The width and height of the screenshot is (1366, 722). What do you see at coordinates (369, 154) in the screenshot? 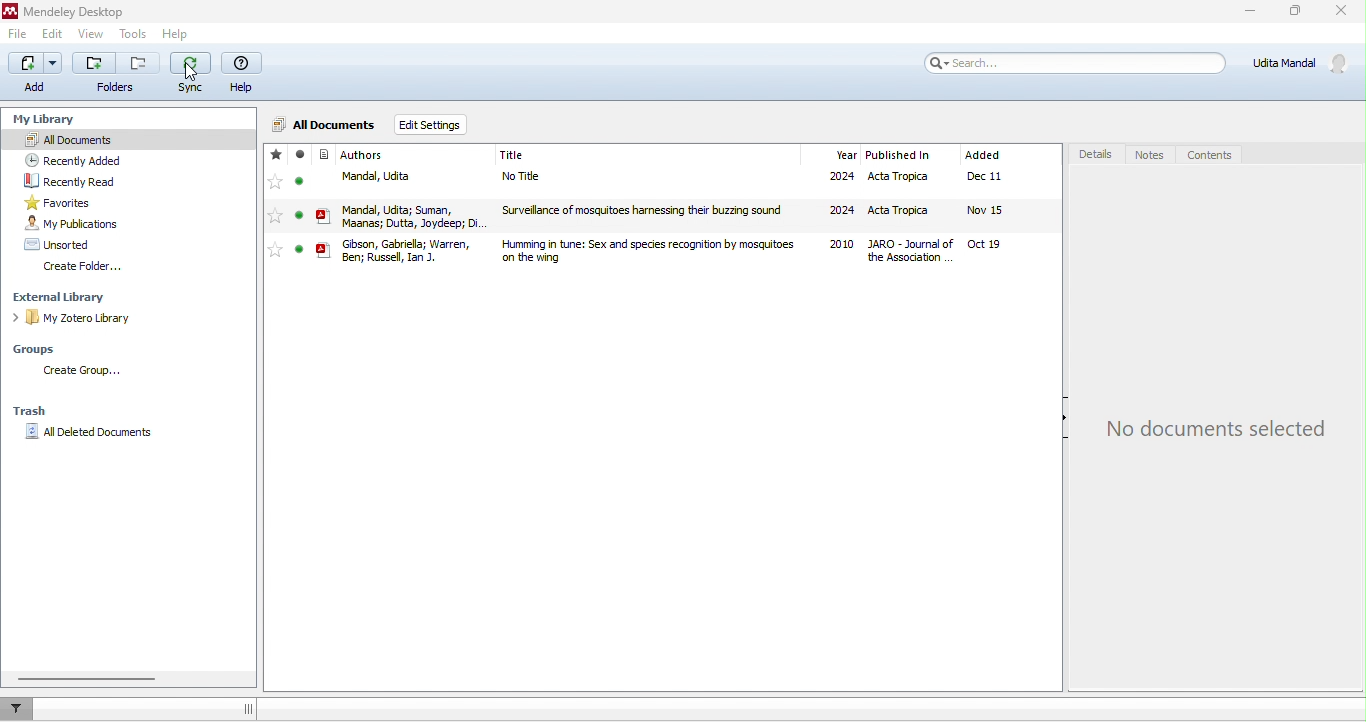
I see `journal author name` at bounding box center [369, 154].